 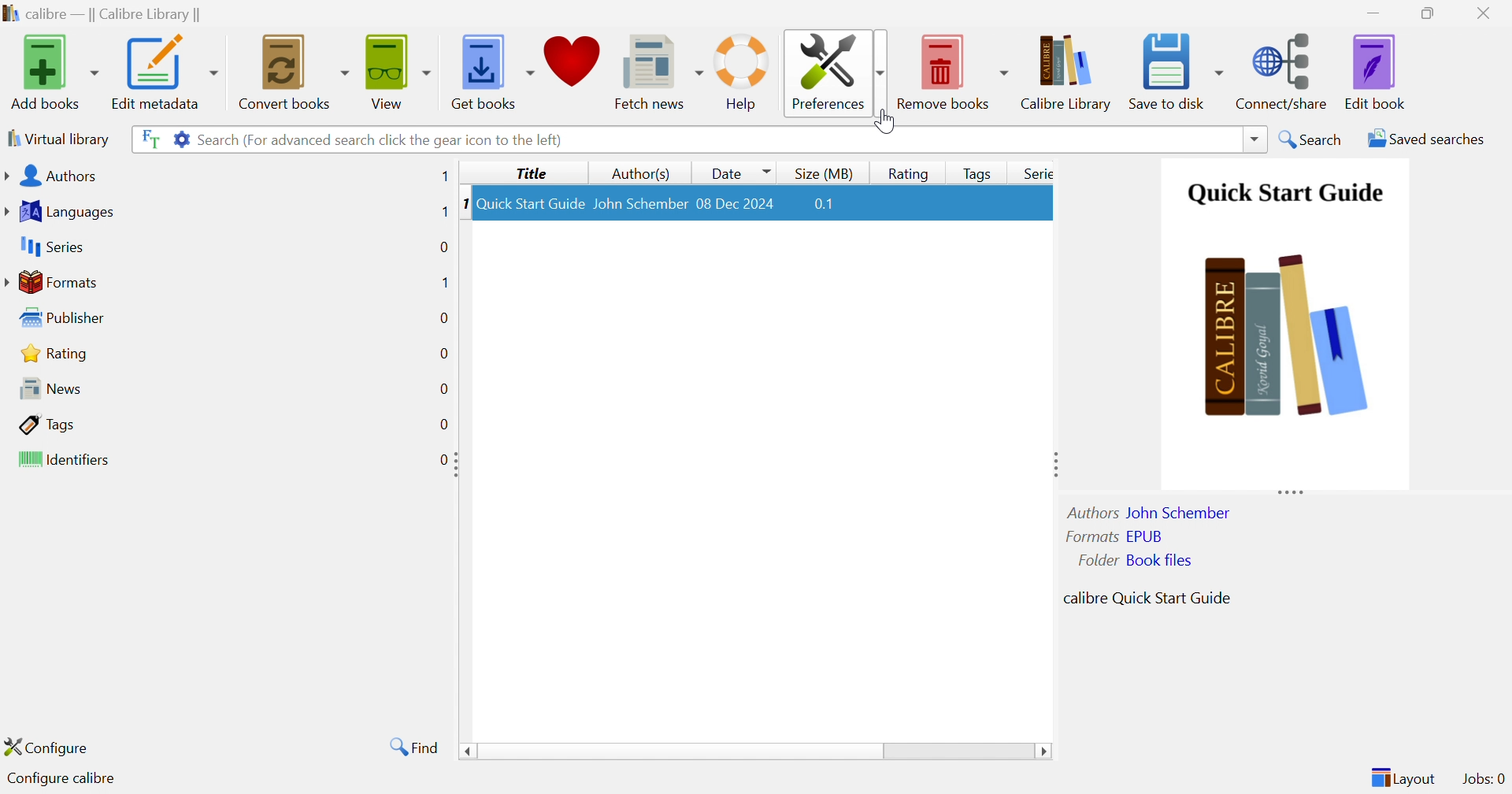 I want to click on 1, so click(x=443, y=281).